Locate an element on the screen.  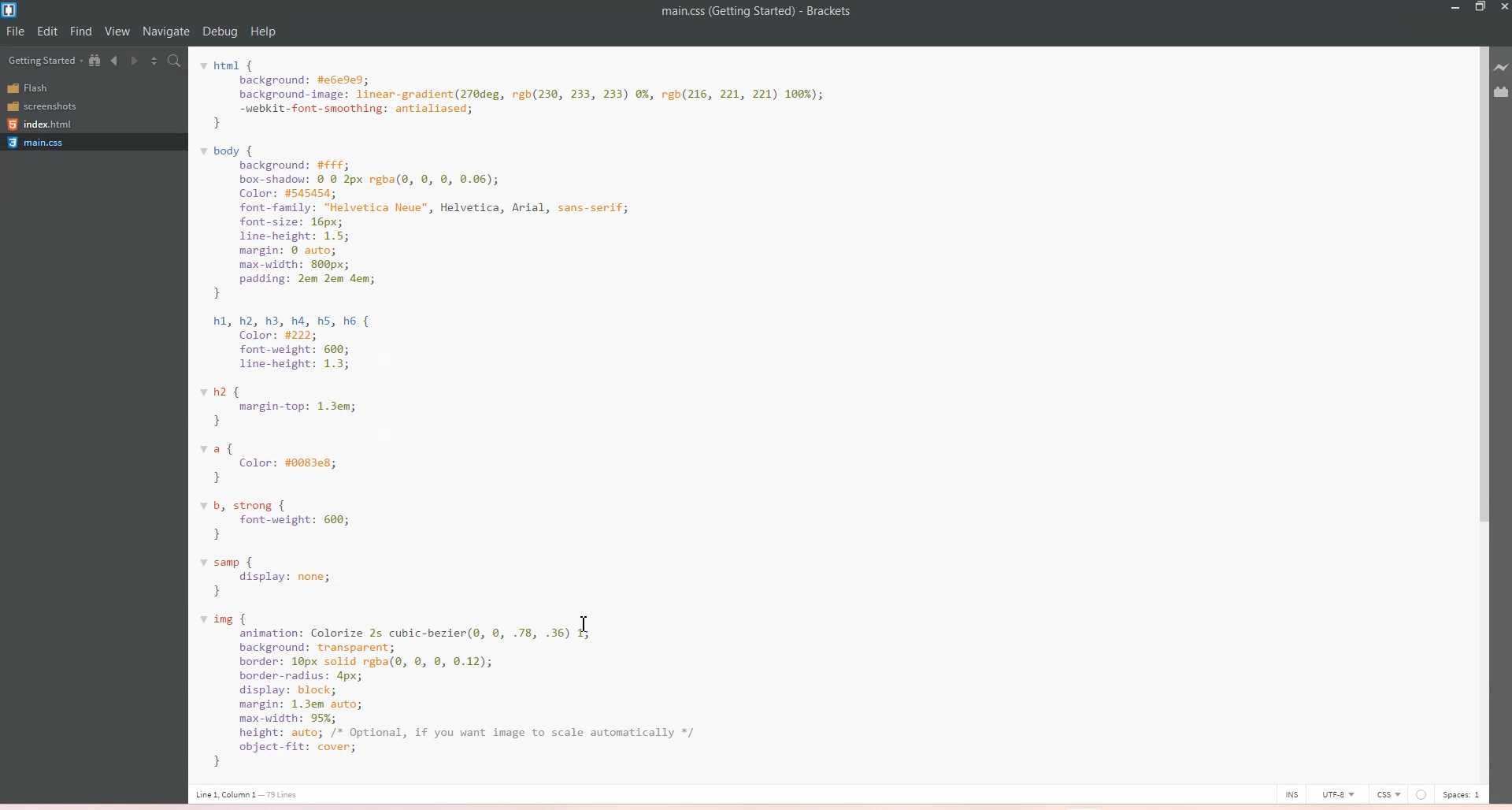
Minimize is located at coordinates (1455, 7).